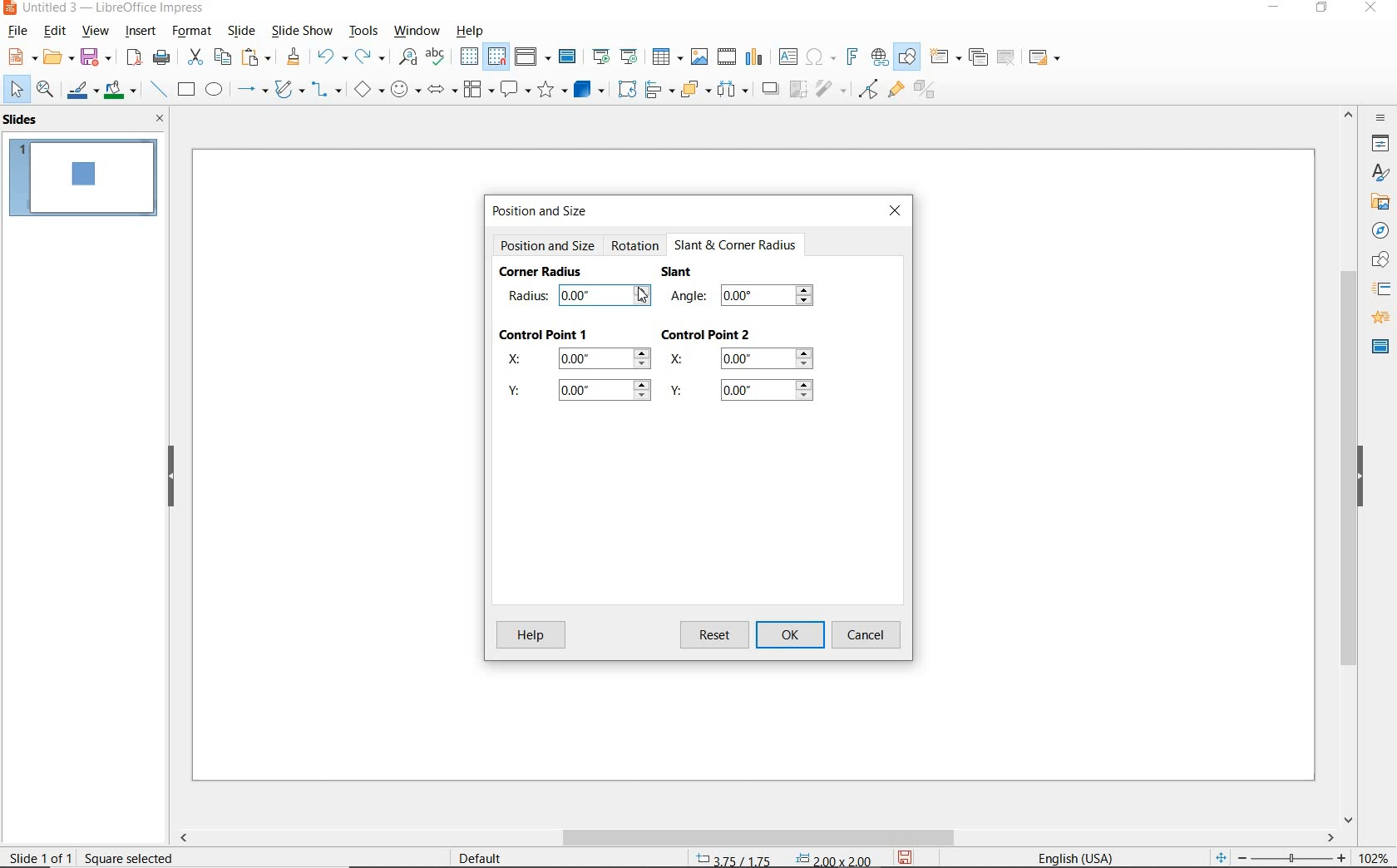  What do you see at coordinates (550, 91) in the screenshot?
I see `stars and banners` at bounding box center [550, 91].